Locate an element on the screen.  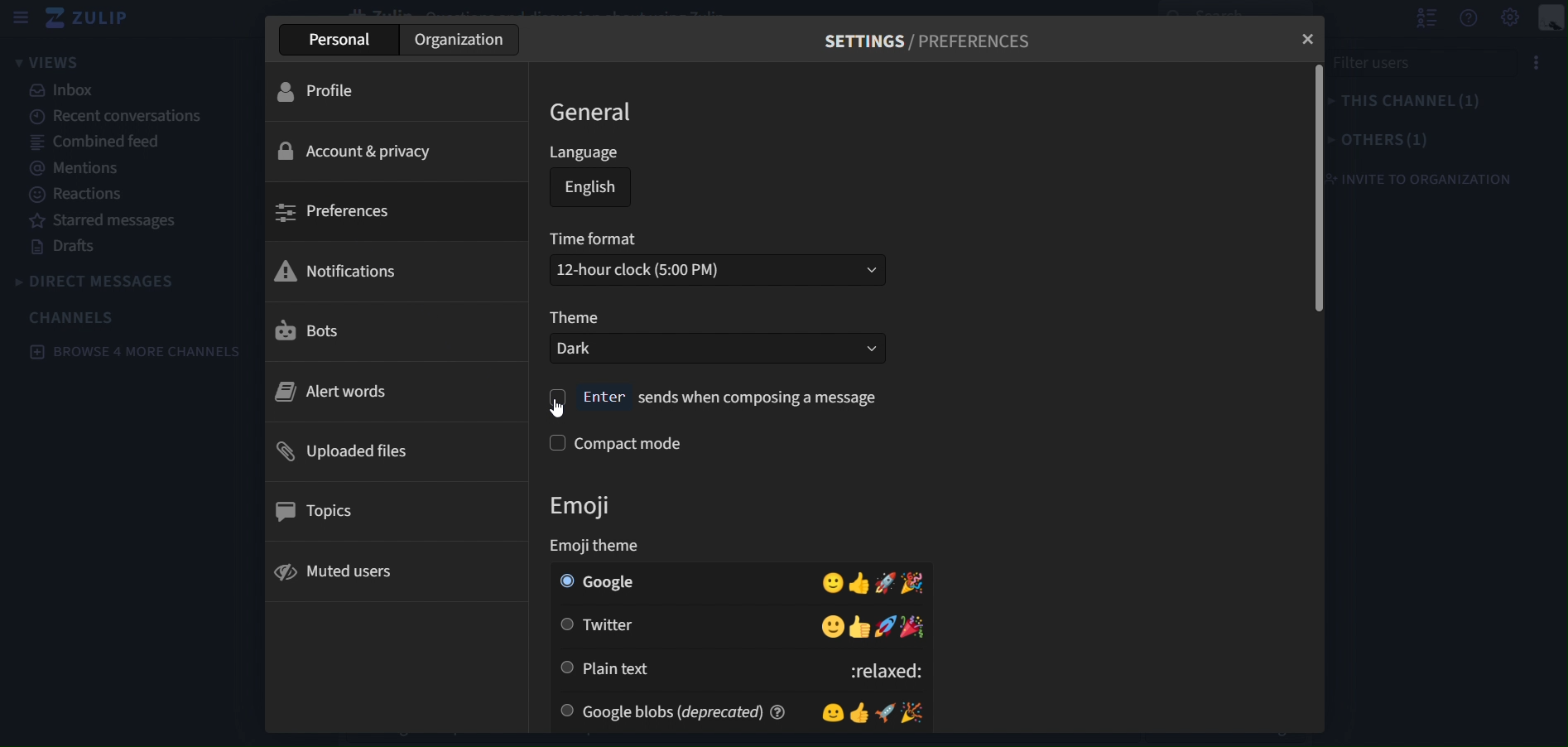
recent conversations is located at coordinates (113, 115).